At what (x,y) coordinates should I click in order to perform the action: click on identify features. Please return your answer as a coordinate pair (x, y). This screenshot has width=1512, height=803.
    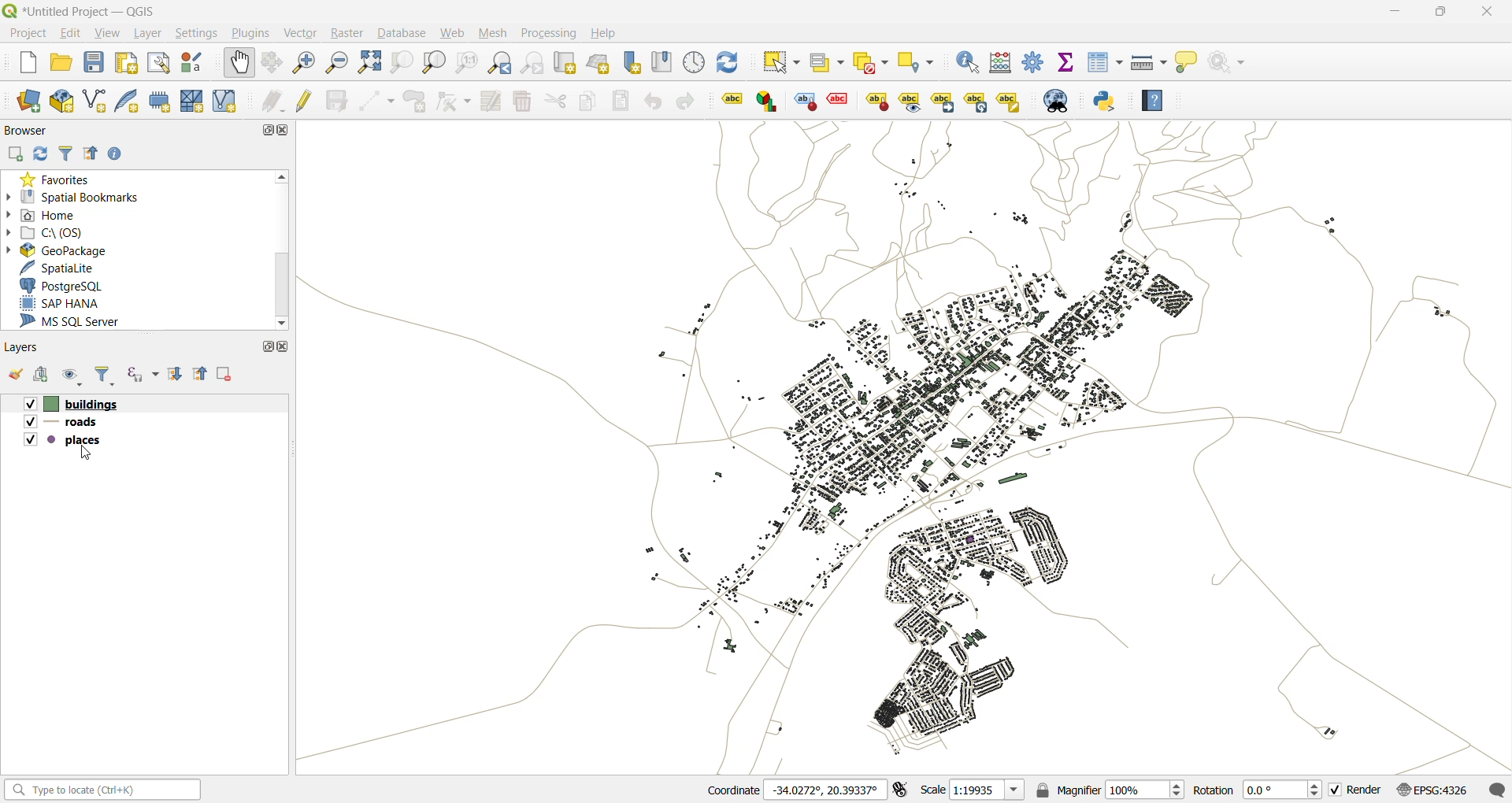
    Looking at the image, I should click on (969, 61).